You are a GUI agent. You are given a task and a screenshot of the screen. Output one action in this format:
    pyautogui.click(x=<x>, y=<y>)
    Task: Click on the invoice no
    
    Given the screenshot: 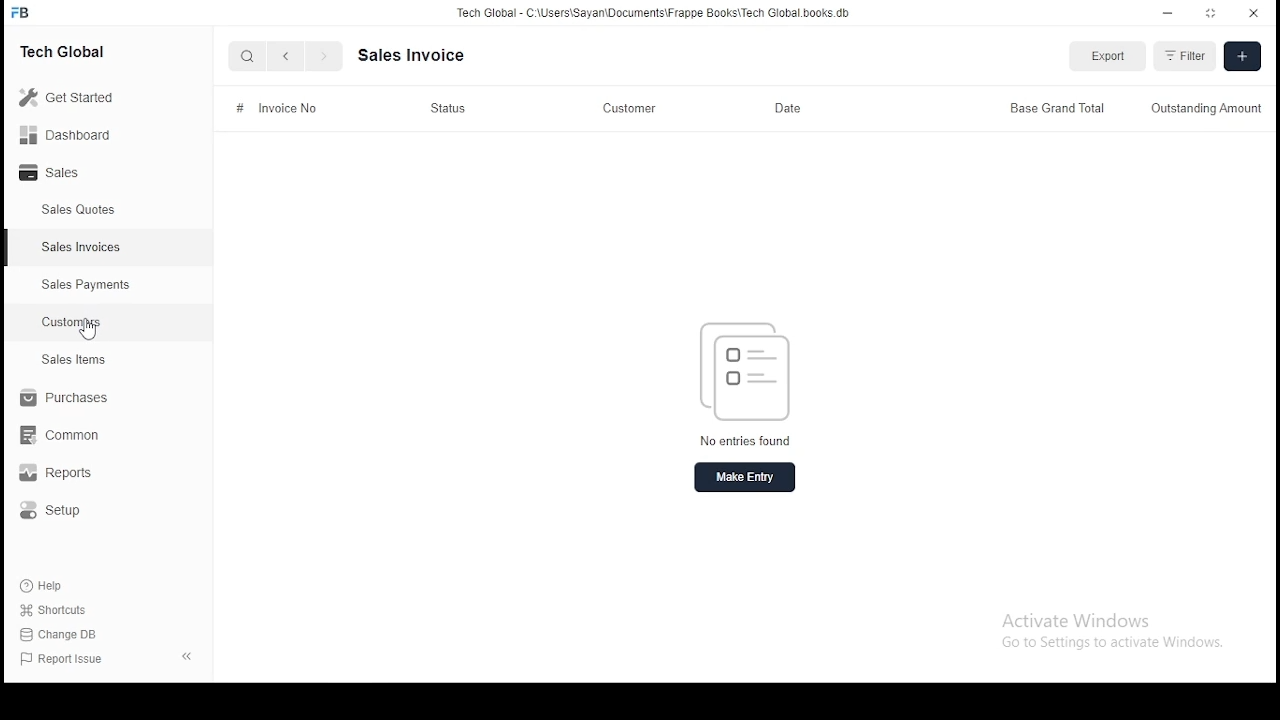 What is the action you would take?
    pyautogui.click(x=286, y=108)
    